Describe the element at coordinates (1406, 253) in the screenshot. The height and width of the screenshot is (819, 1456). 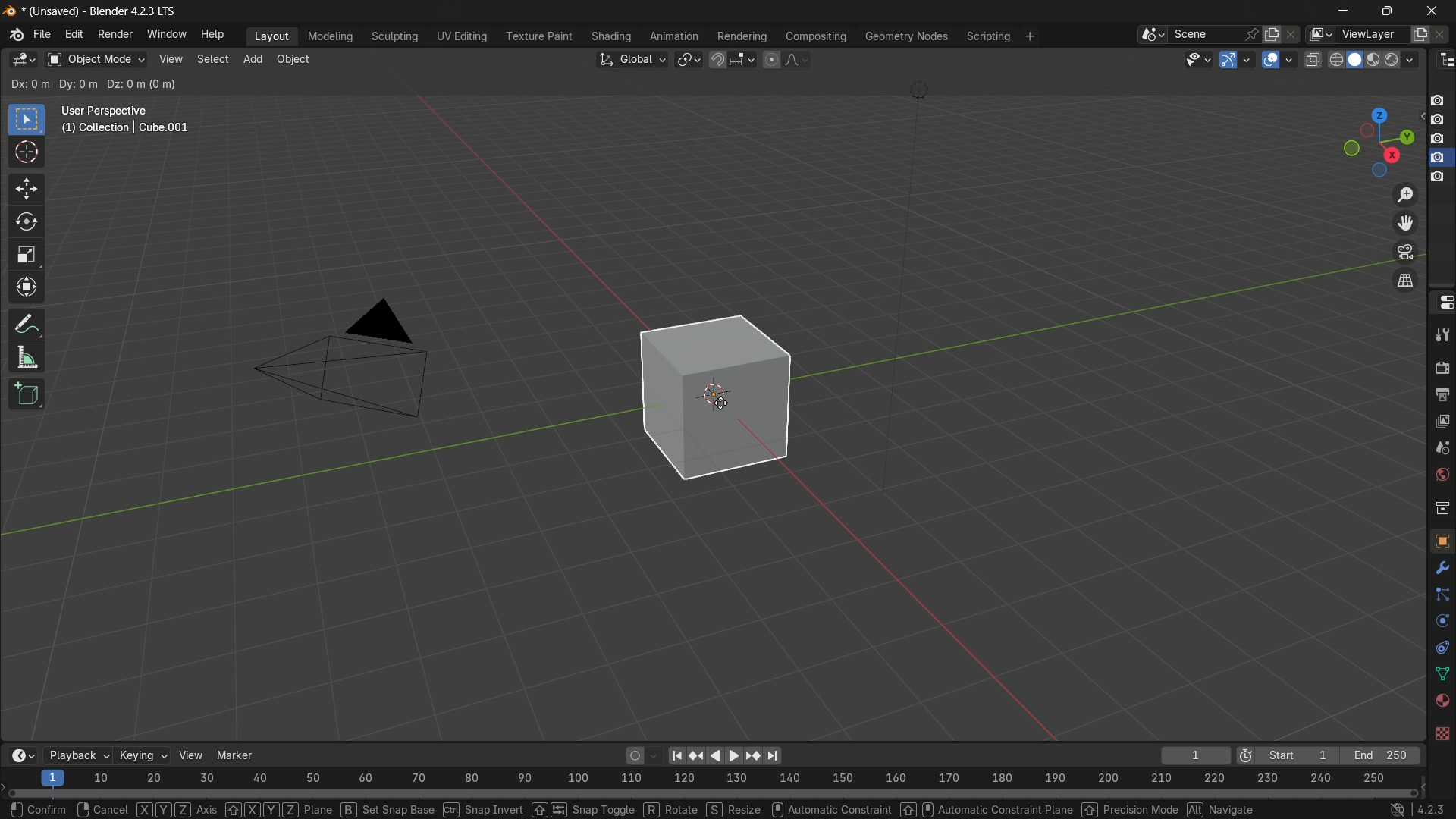
I see `toggle camera view` at that location.